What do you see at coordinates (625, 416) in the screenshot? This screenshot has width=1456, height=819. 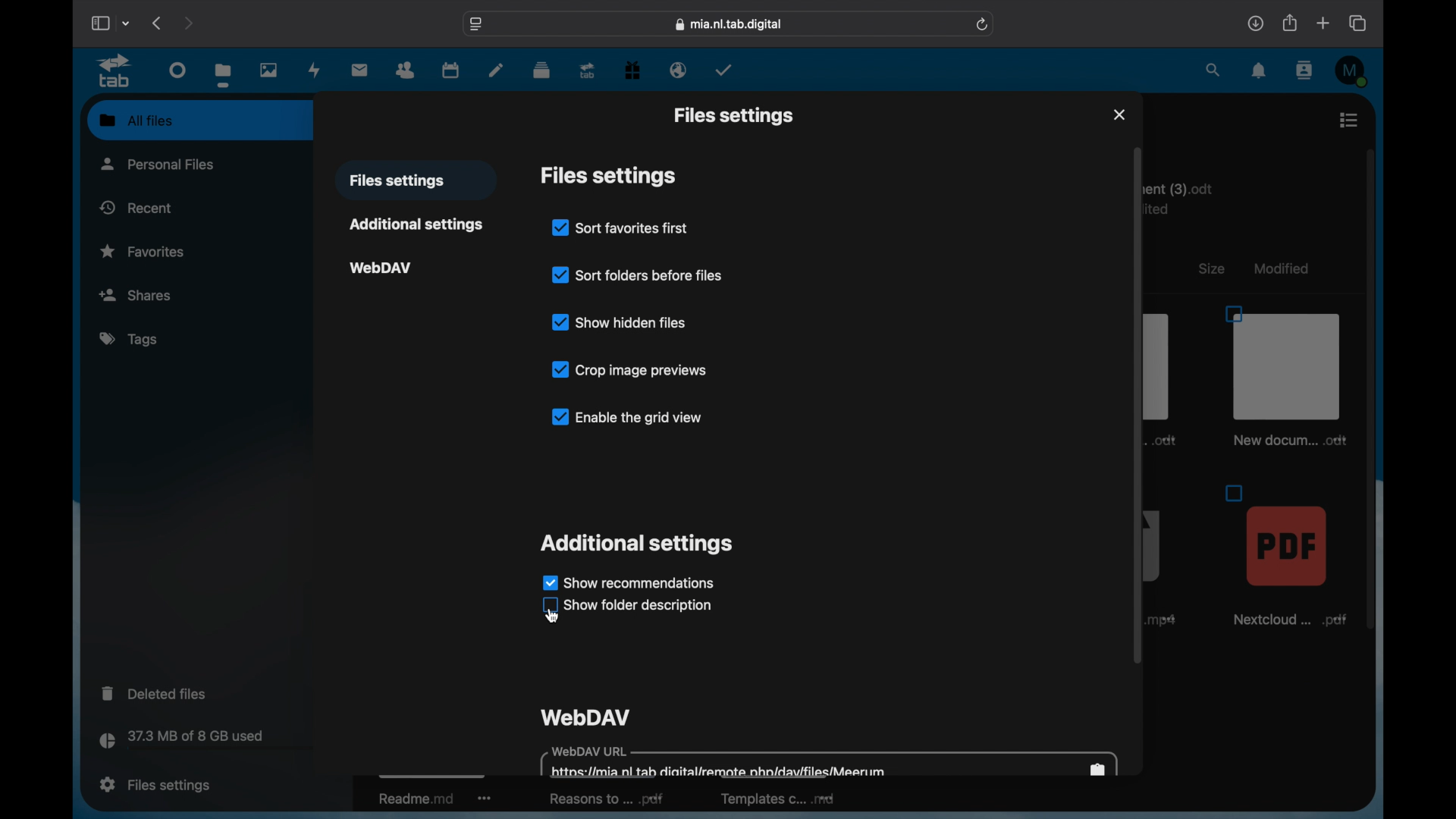 I see `enable the grid view` at bounding box center [625, 416].